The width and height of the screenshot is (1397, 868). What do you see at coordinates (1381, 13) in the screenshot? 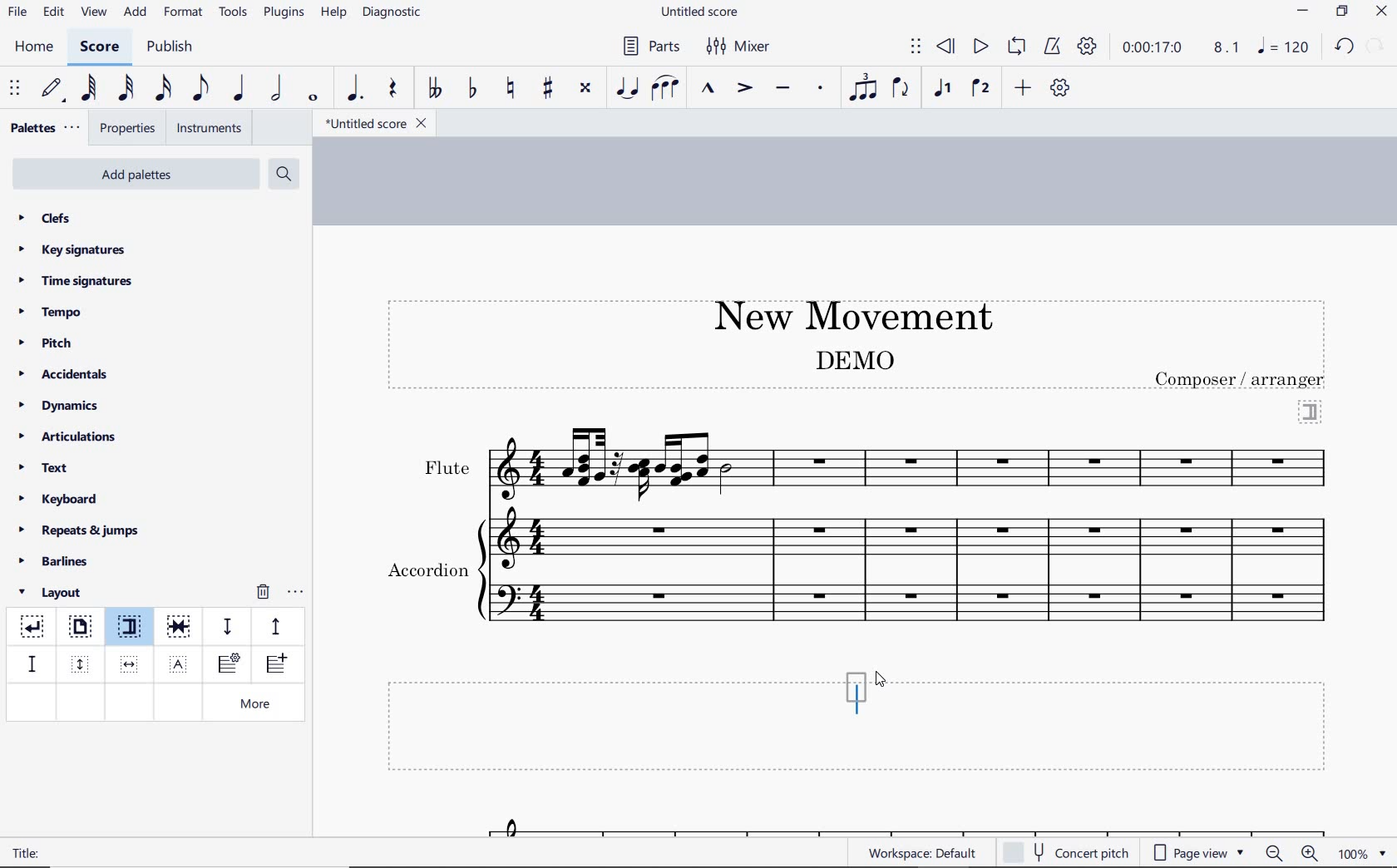
I see `close` at bounding box center [1381, 13].